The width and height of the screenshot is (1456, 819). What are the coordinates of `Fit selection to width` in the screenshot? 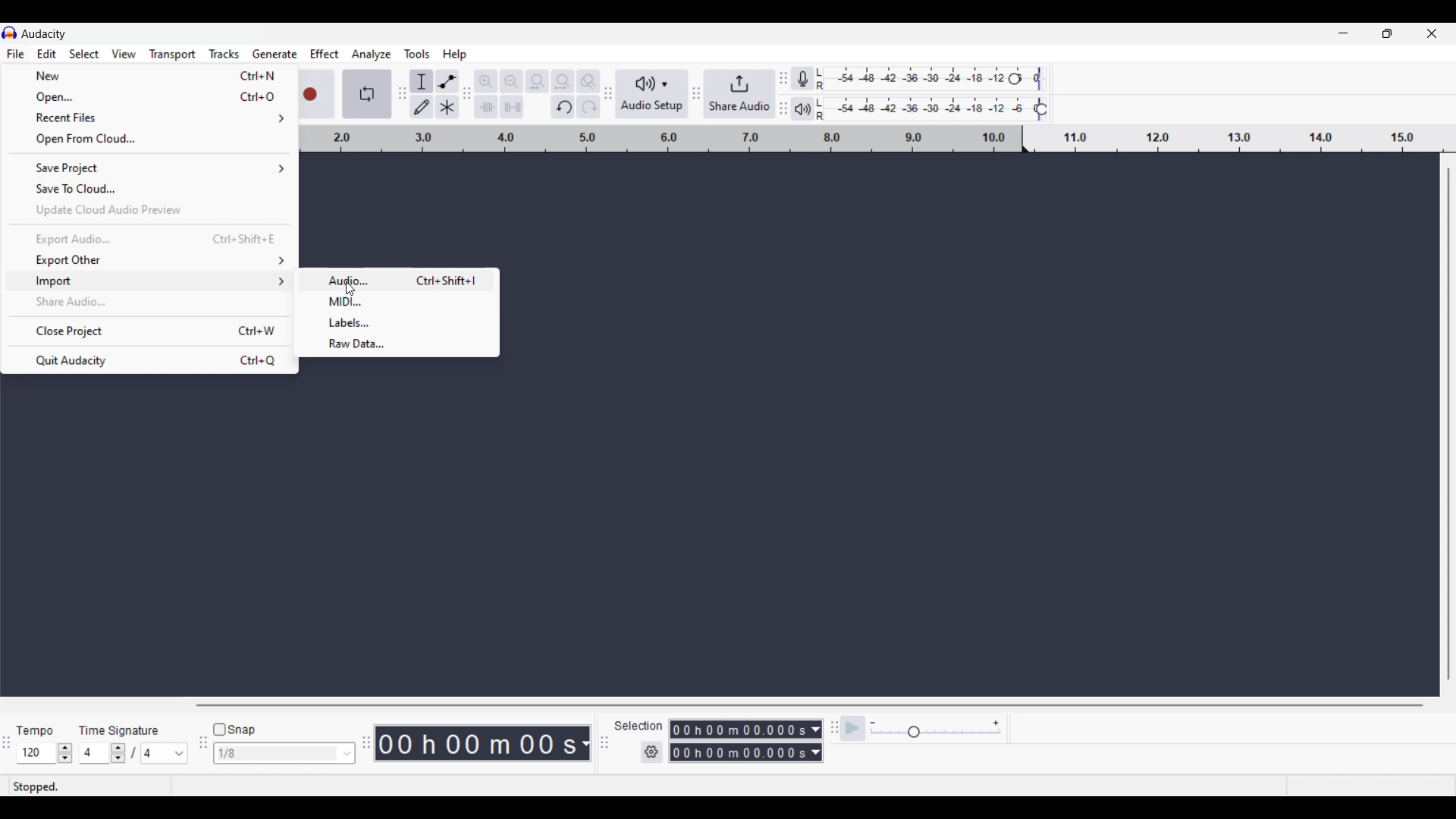 It's located at (537, 81).